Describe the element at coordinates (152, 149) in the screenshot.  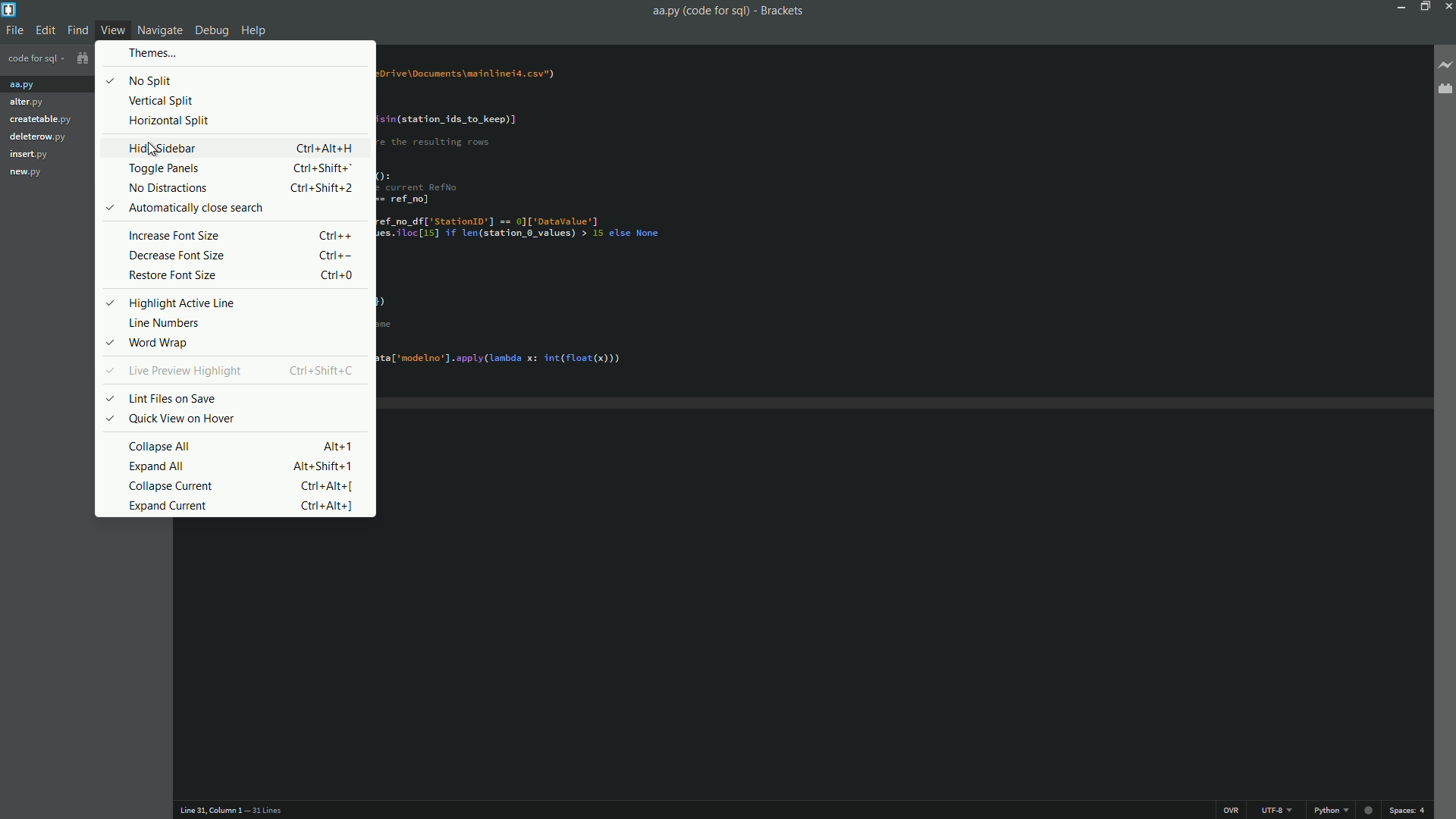
I see `Cursor` at that location.